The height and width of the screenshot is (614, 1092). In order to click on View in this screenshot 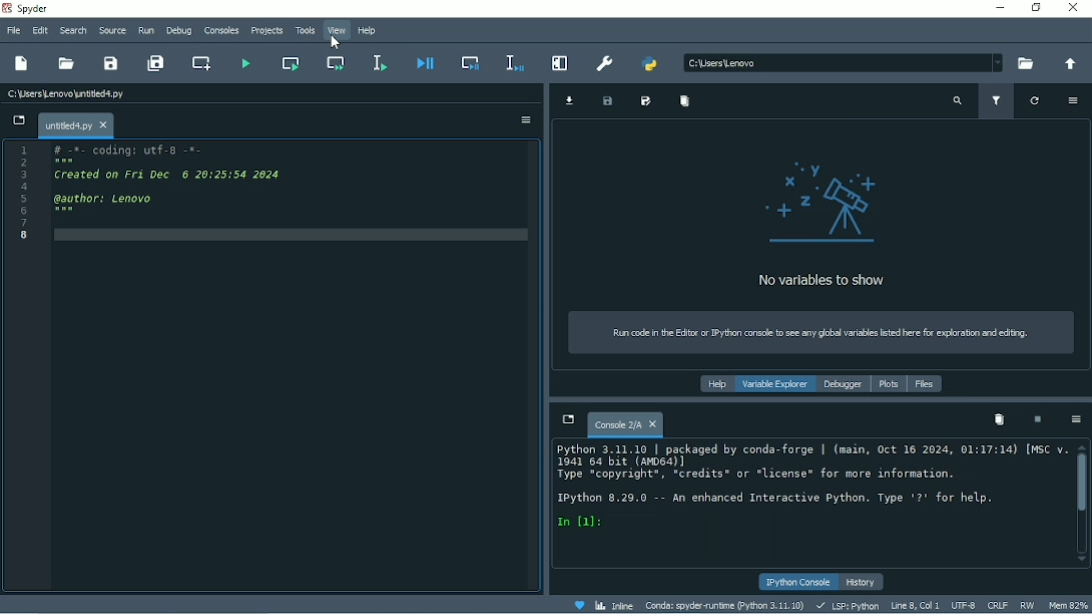, I will do `click(336, 31)`.